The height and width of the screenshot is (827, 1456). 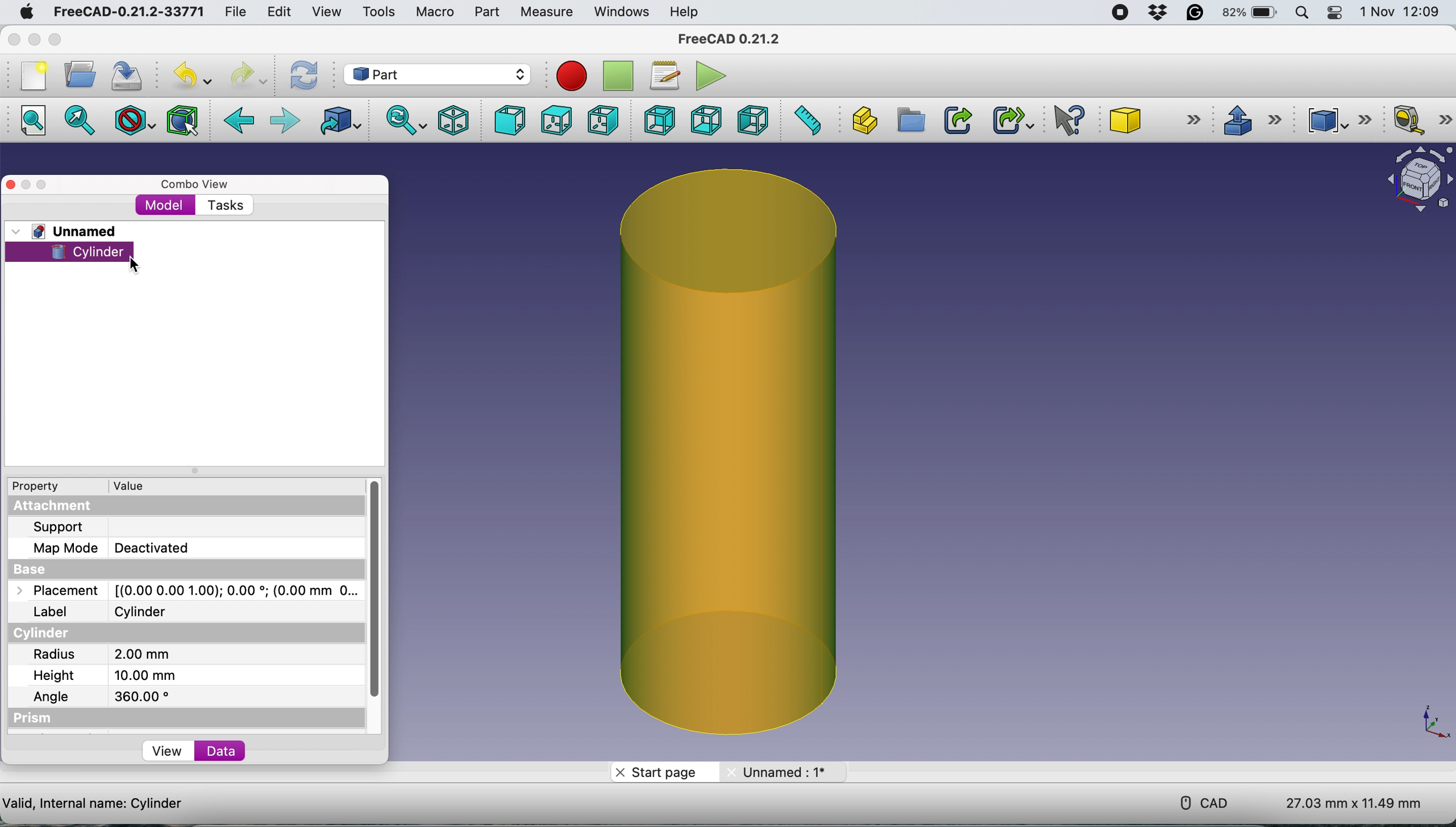 What do you see at coordinates (219, 750) in the screenshot?
I see `data` at bounding box center [219, 750].